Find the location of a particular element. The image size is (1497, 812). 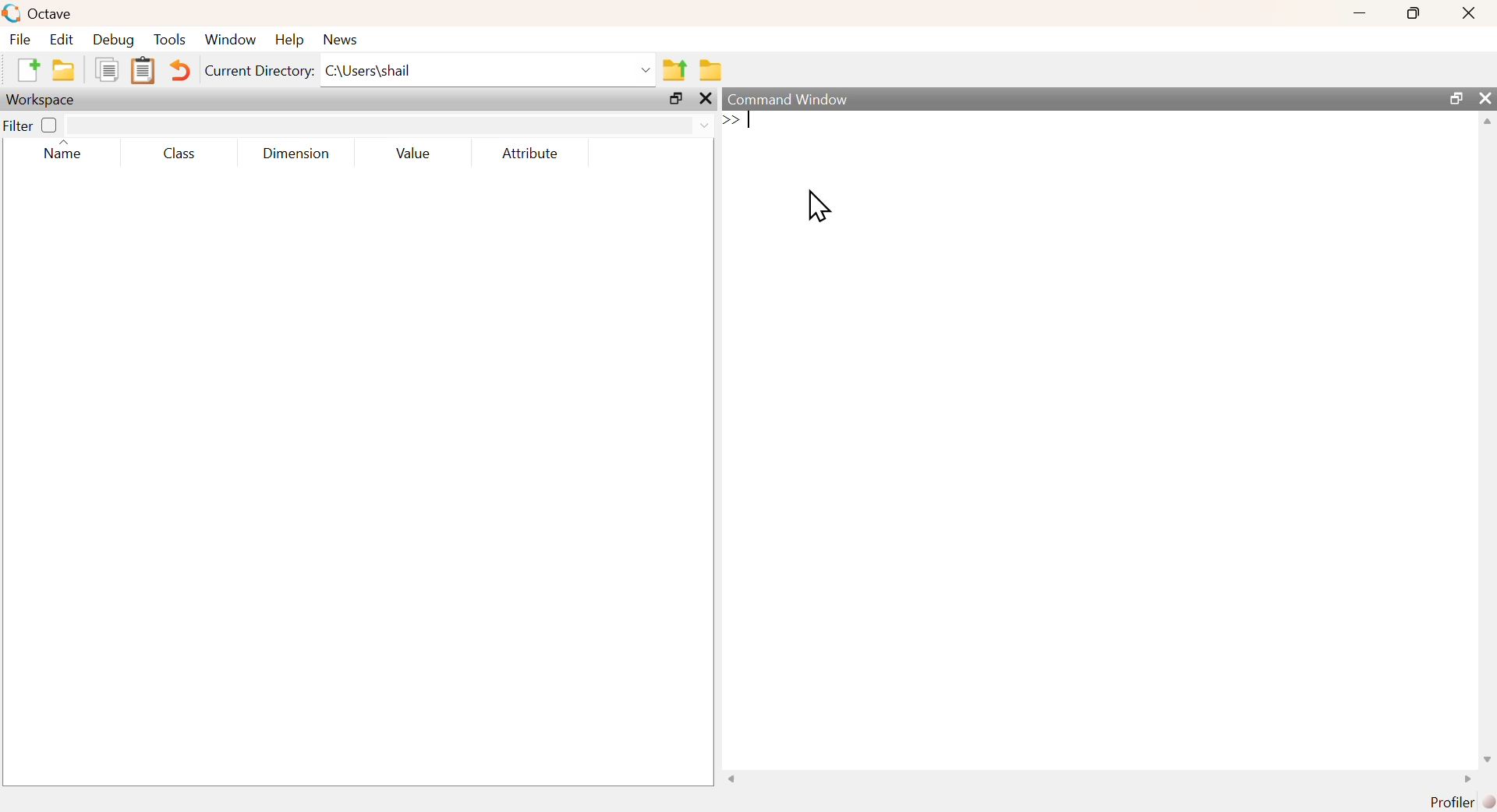

typing cursor is located at coordinates (739, 122).